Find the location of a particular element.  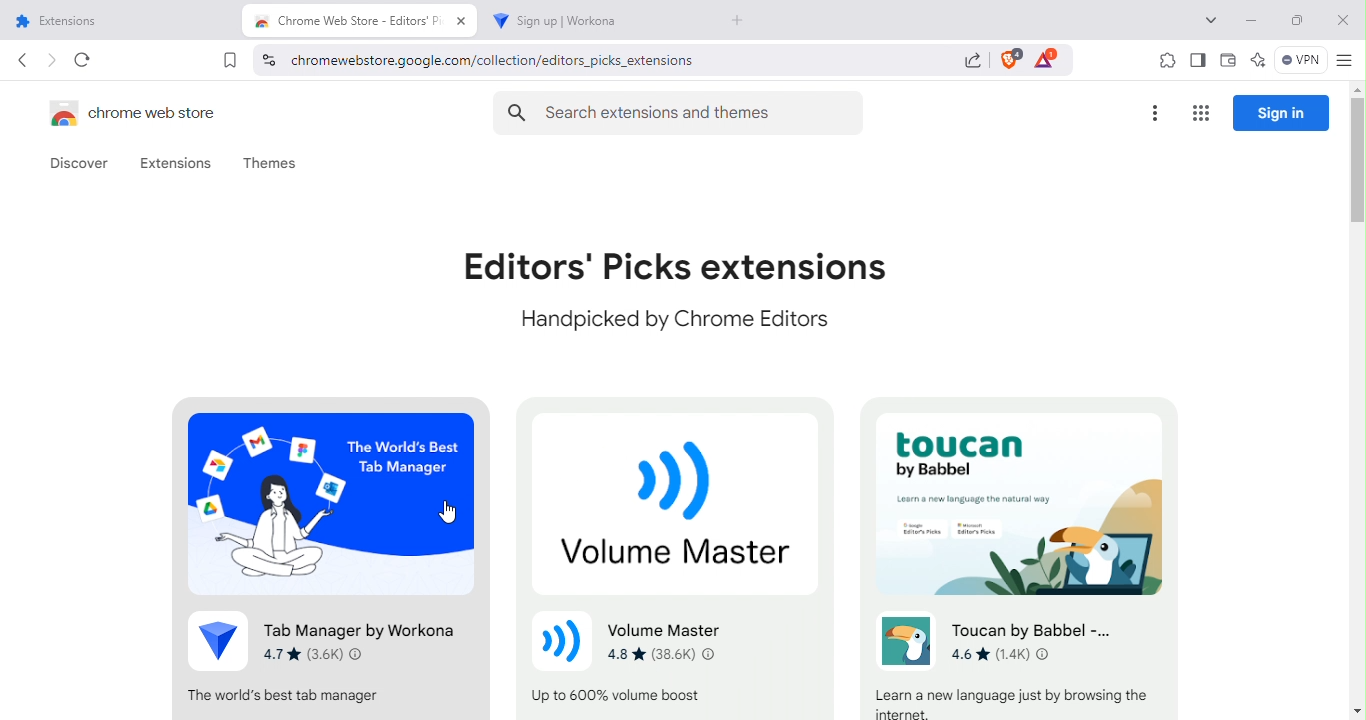

New tab is located at coordinates (742, 22).